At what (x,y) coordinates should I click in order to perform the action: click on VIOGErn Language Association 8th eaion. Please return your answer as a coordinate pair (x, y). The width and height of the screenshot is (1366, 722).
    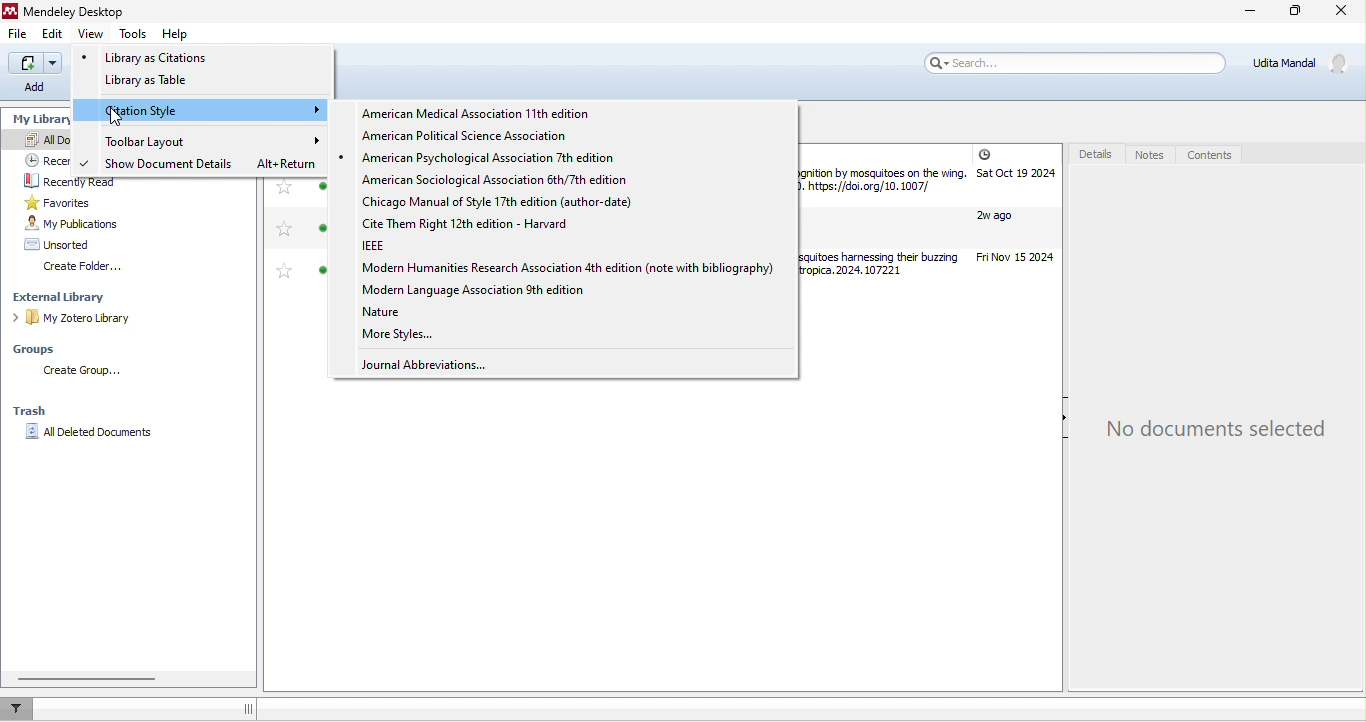
    Looking at the image, I should click on (500, 289).